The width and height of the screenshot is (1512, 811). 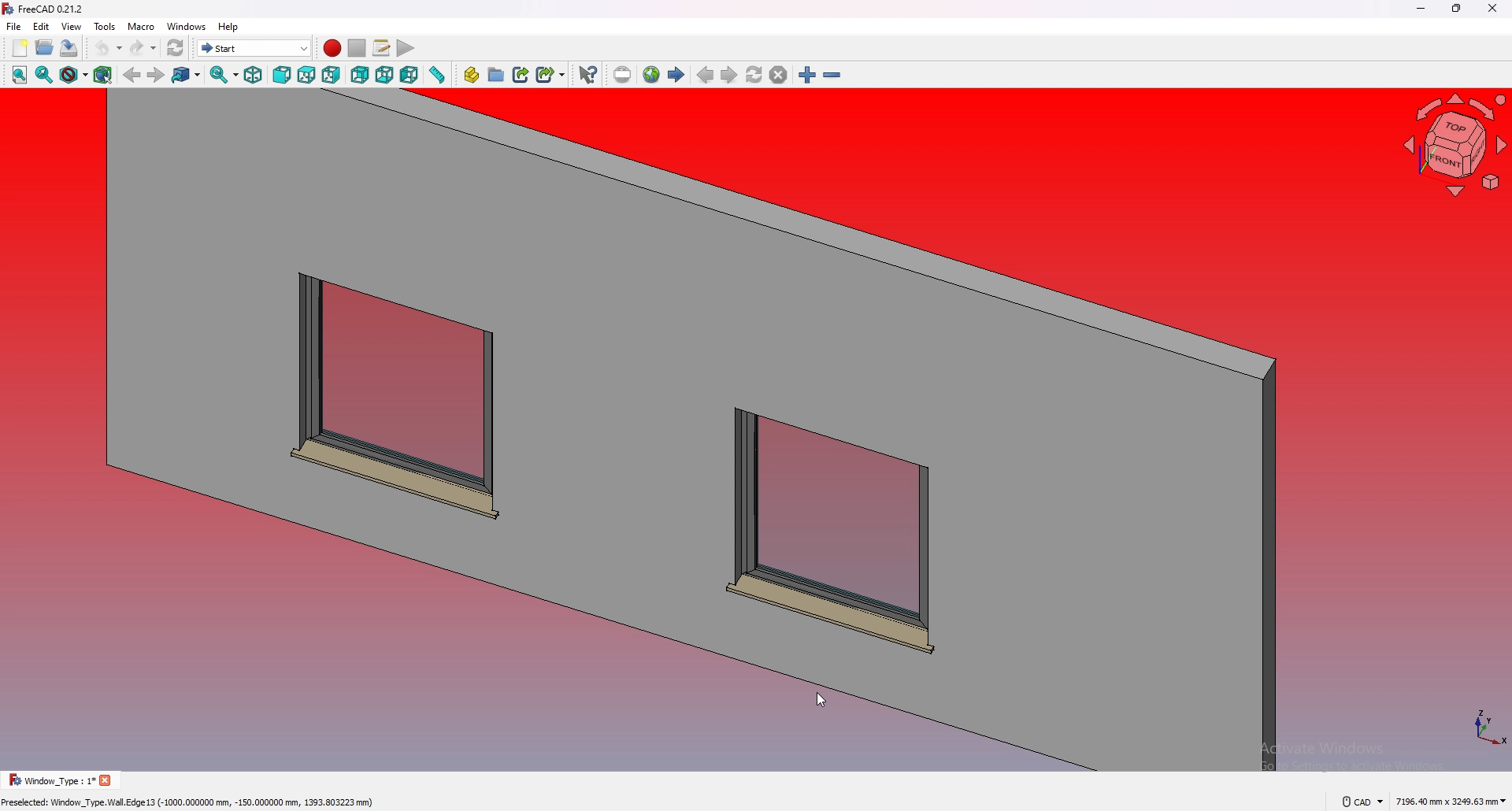 What do you see at coordinates (283, 76) in the screenshot?
I see `front` at bounding box center [283, 76].